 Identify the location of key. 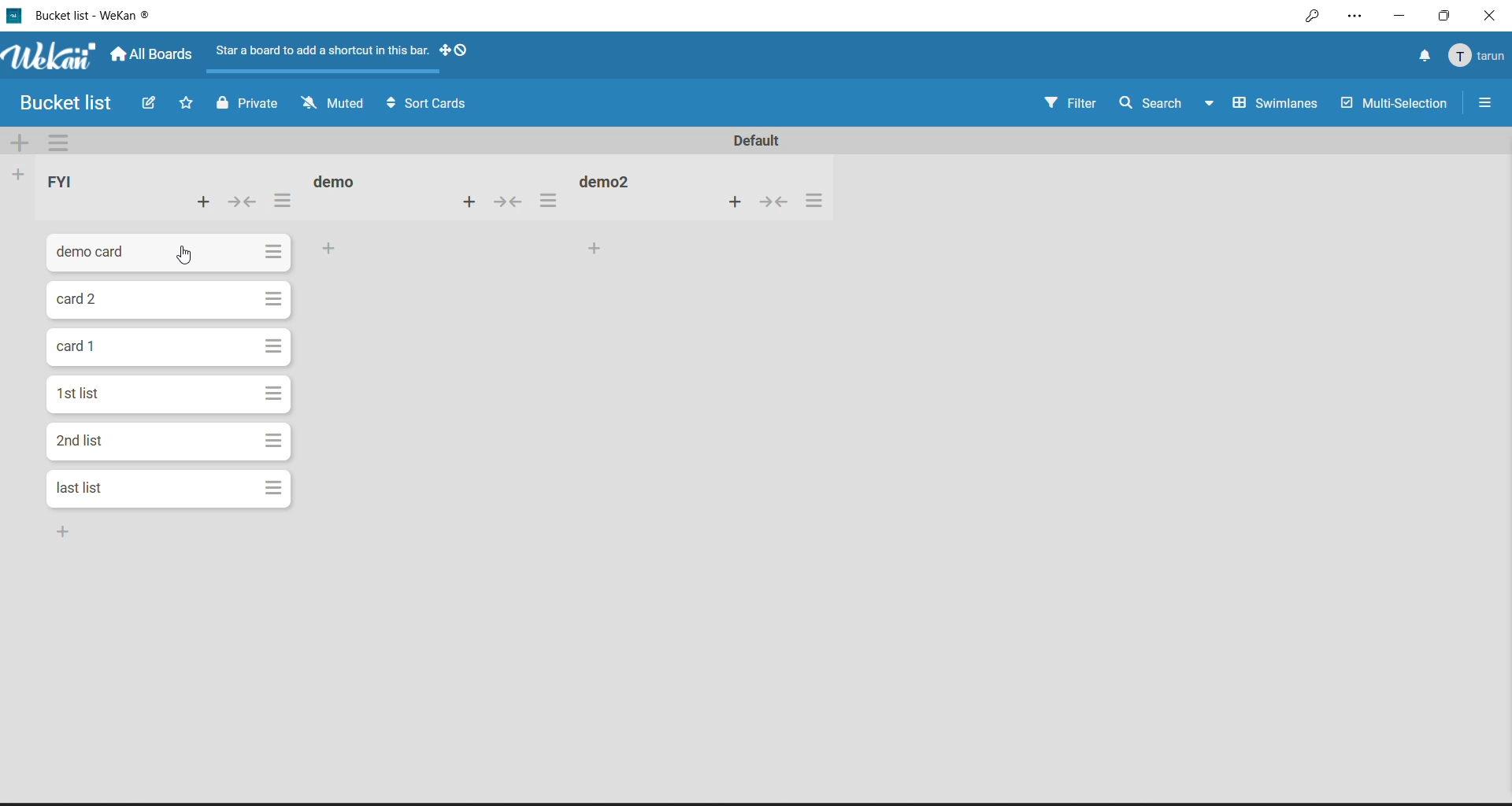
(1311, 17).